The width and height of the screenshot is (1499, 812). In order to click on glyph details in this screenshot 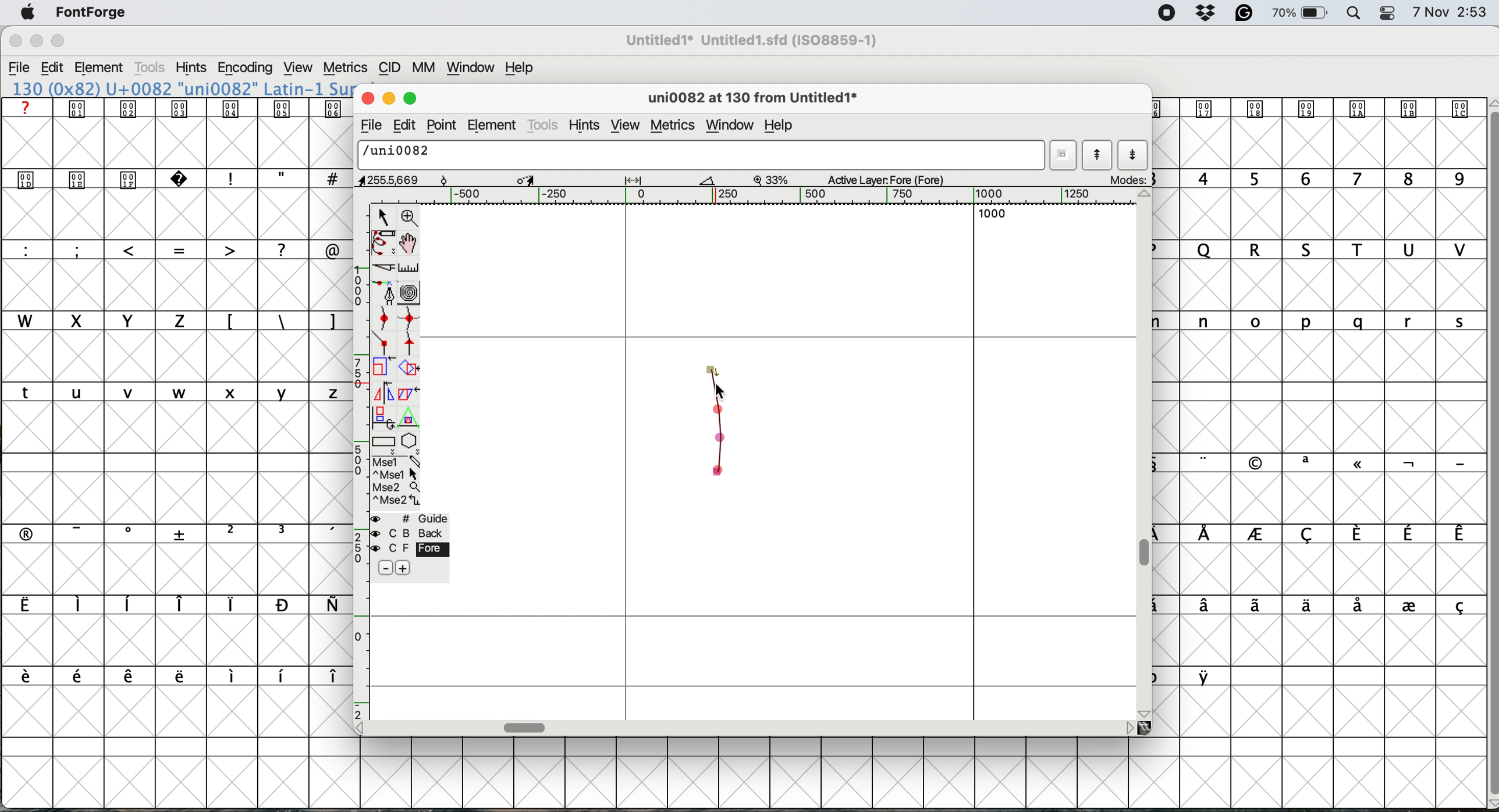, I will do `click(759, 99)`.